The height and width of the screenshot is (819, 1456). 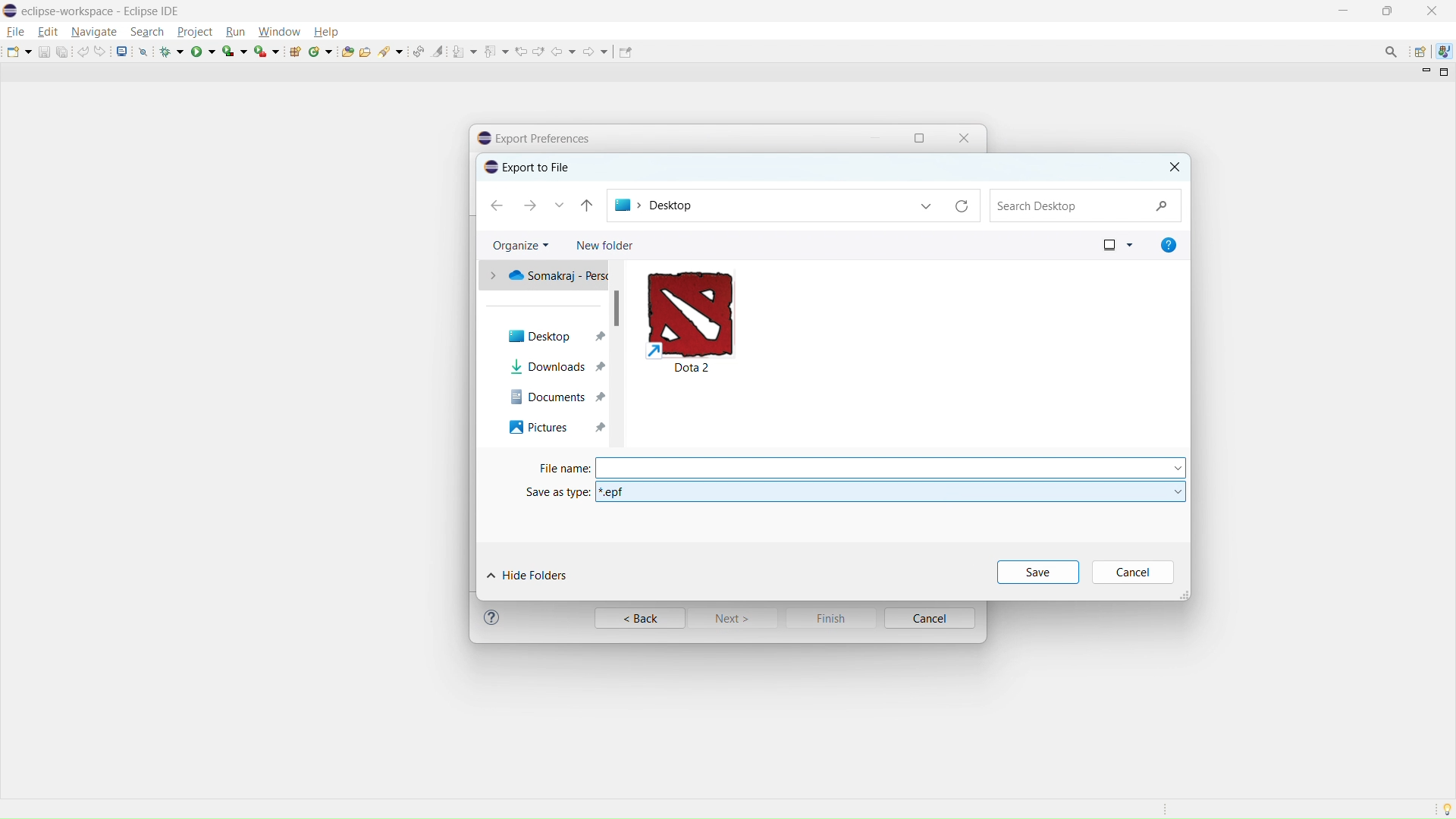 I want to click on New folder, so click(x=604, y=245).